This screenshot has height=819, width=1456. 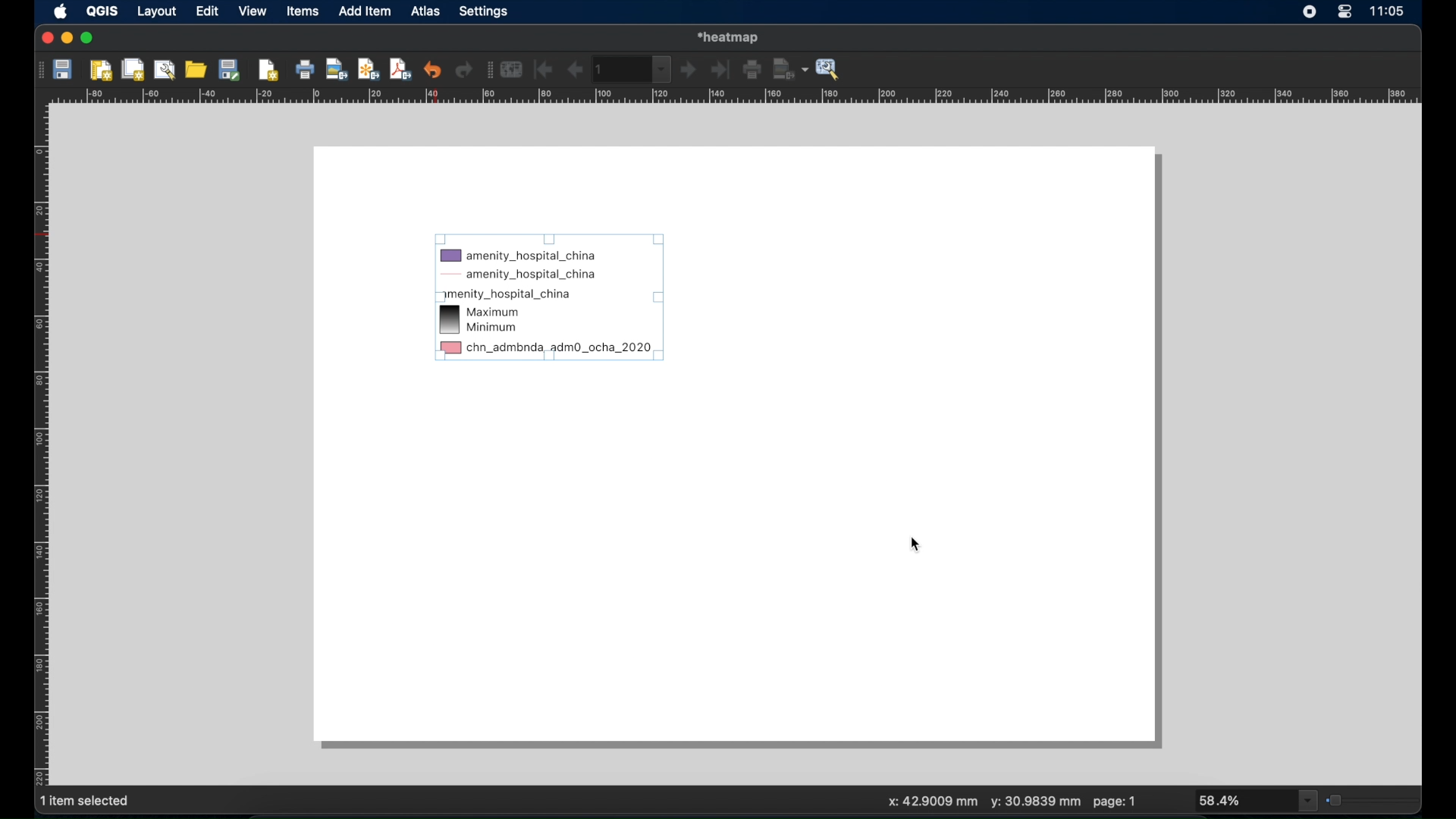 I want to click on maximize, so click(x=88, y=39).